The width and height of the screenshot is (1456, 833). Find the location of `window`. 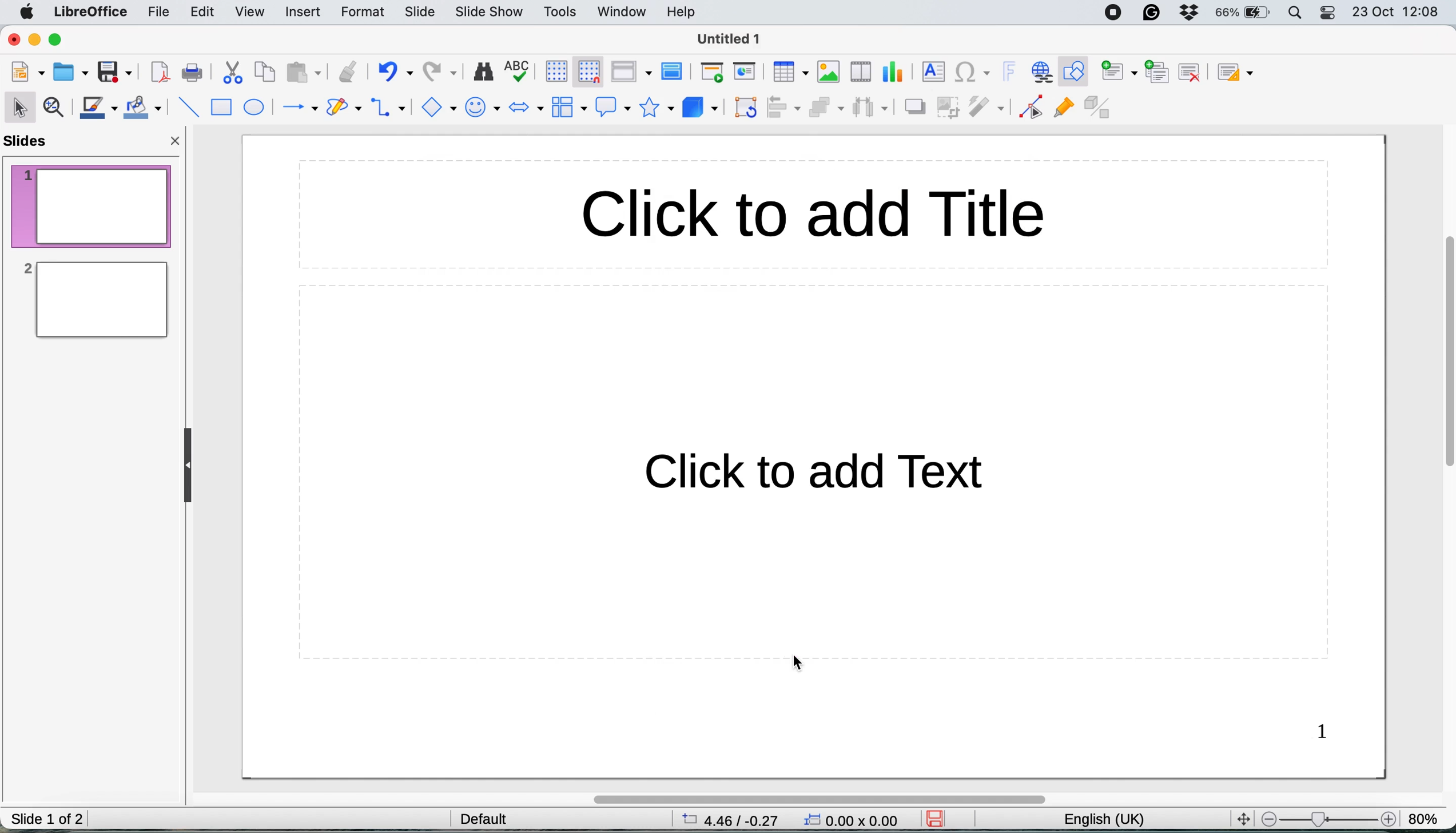

window is located at coordinates (623, 13).